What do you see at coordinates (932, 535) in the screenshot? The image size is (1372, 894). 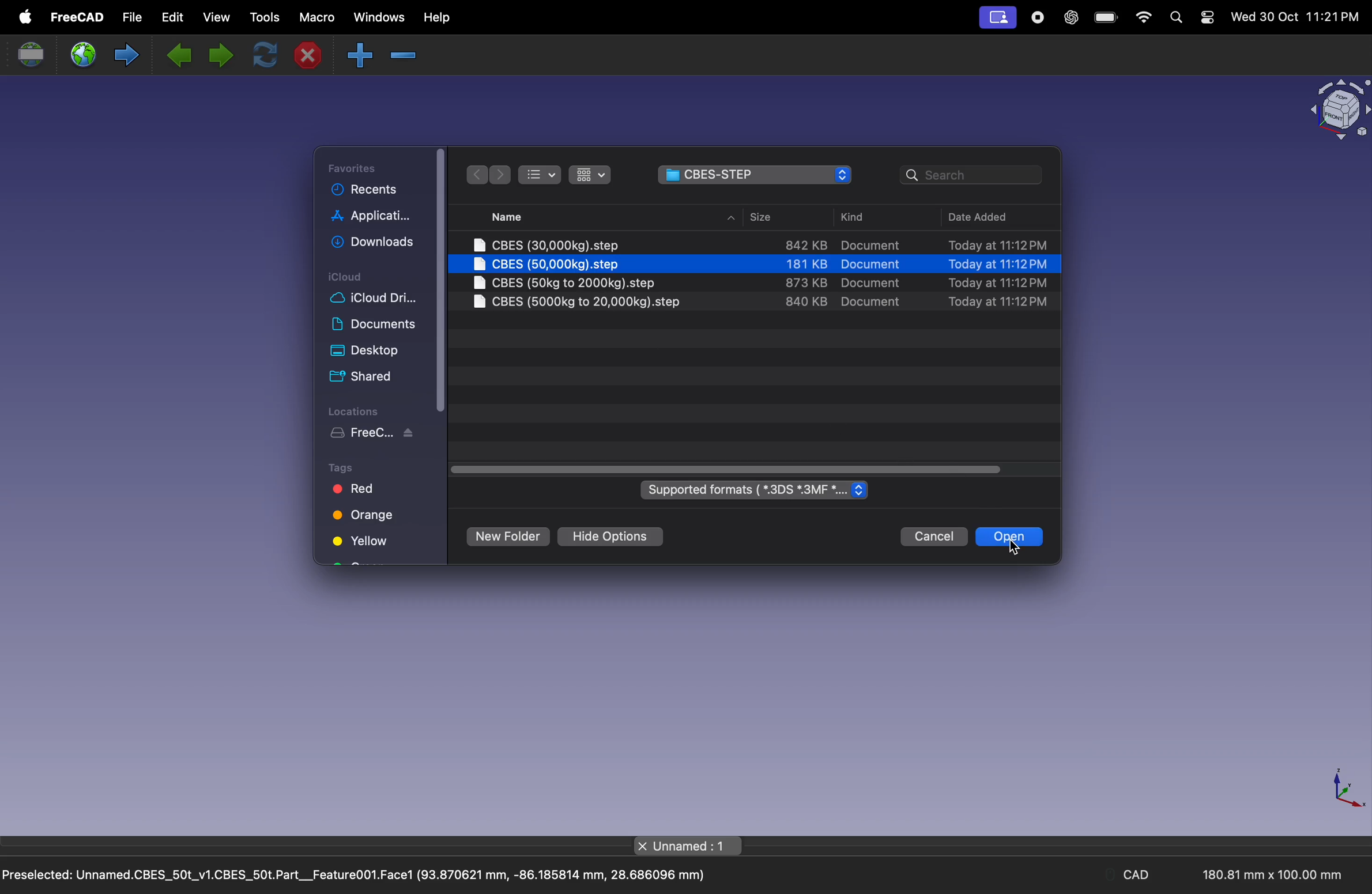 I see `cancel` at bounding box center [932, 535].